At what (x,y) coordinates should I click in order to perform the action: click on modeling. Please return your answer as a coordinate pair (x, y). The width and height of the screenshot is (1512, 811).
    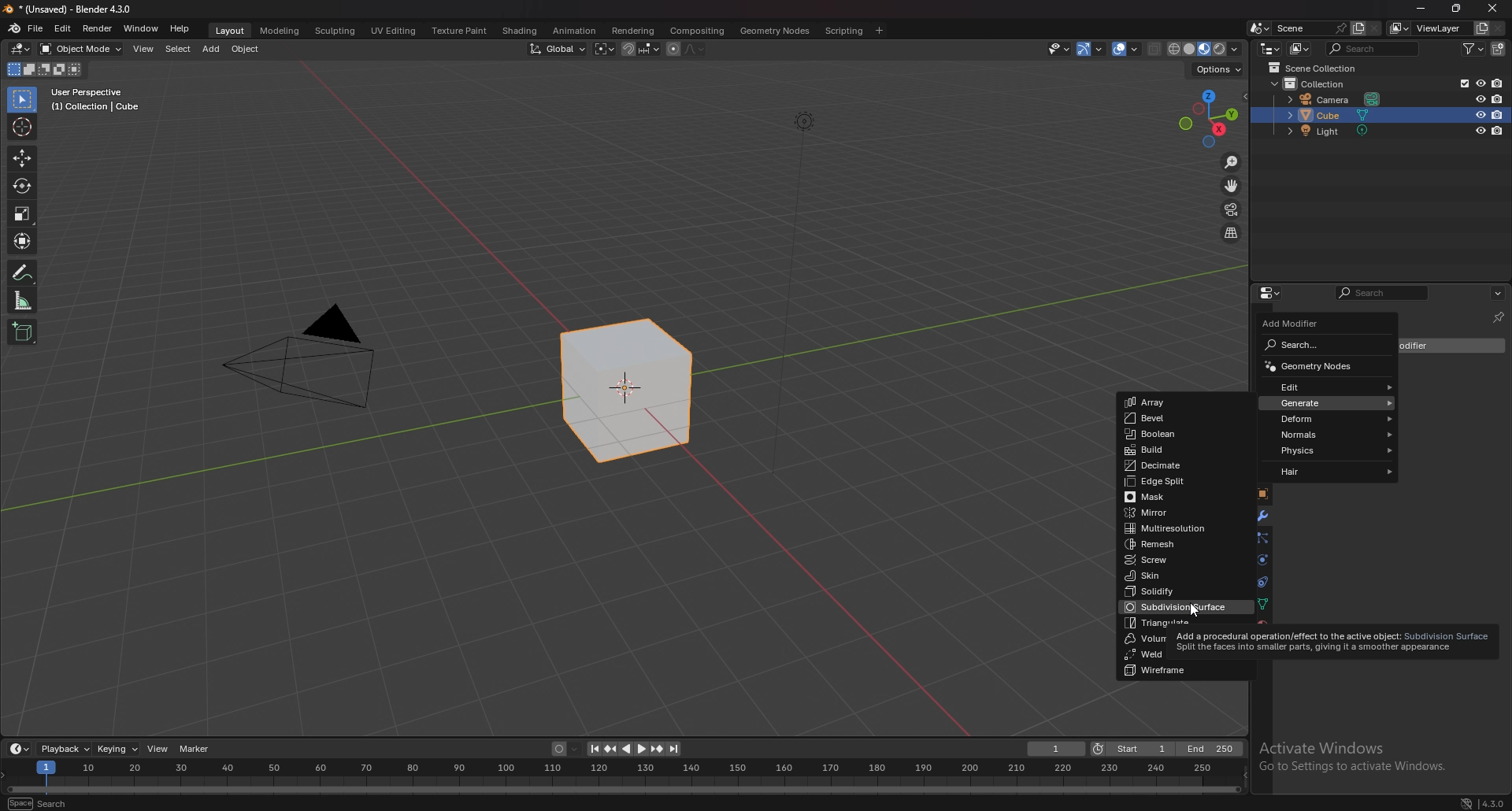
    Looking at the image, I should click on (281, 30).